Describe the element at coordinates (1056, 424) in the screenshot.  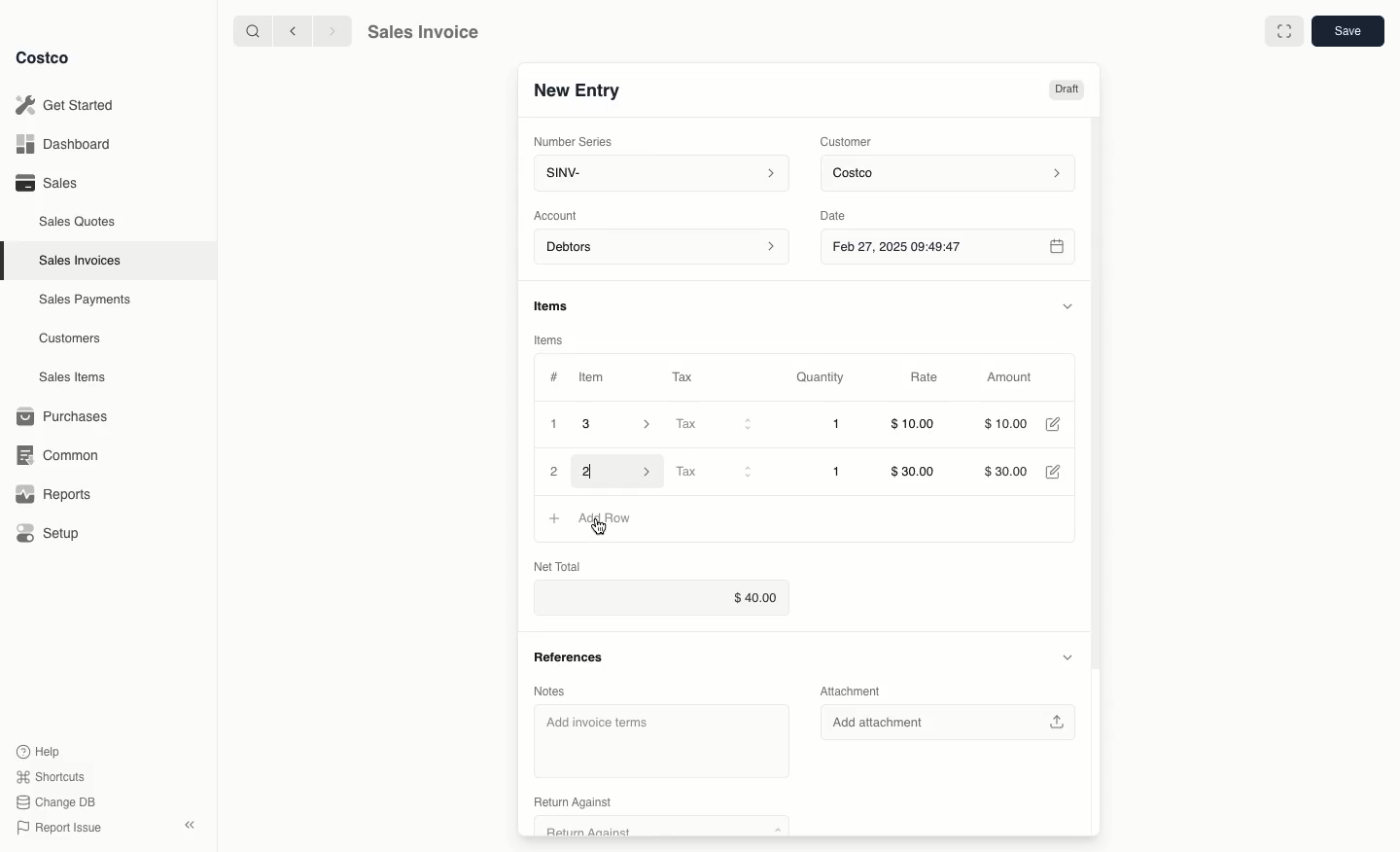
I see `Edit` at that location.